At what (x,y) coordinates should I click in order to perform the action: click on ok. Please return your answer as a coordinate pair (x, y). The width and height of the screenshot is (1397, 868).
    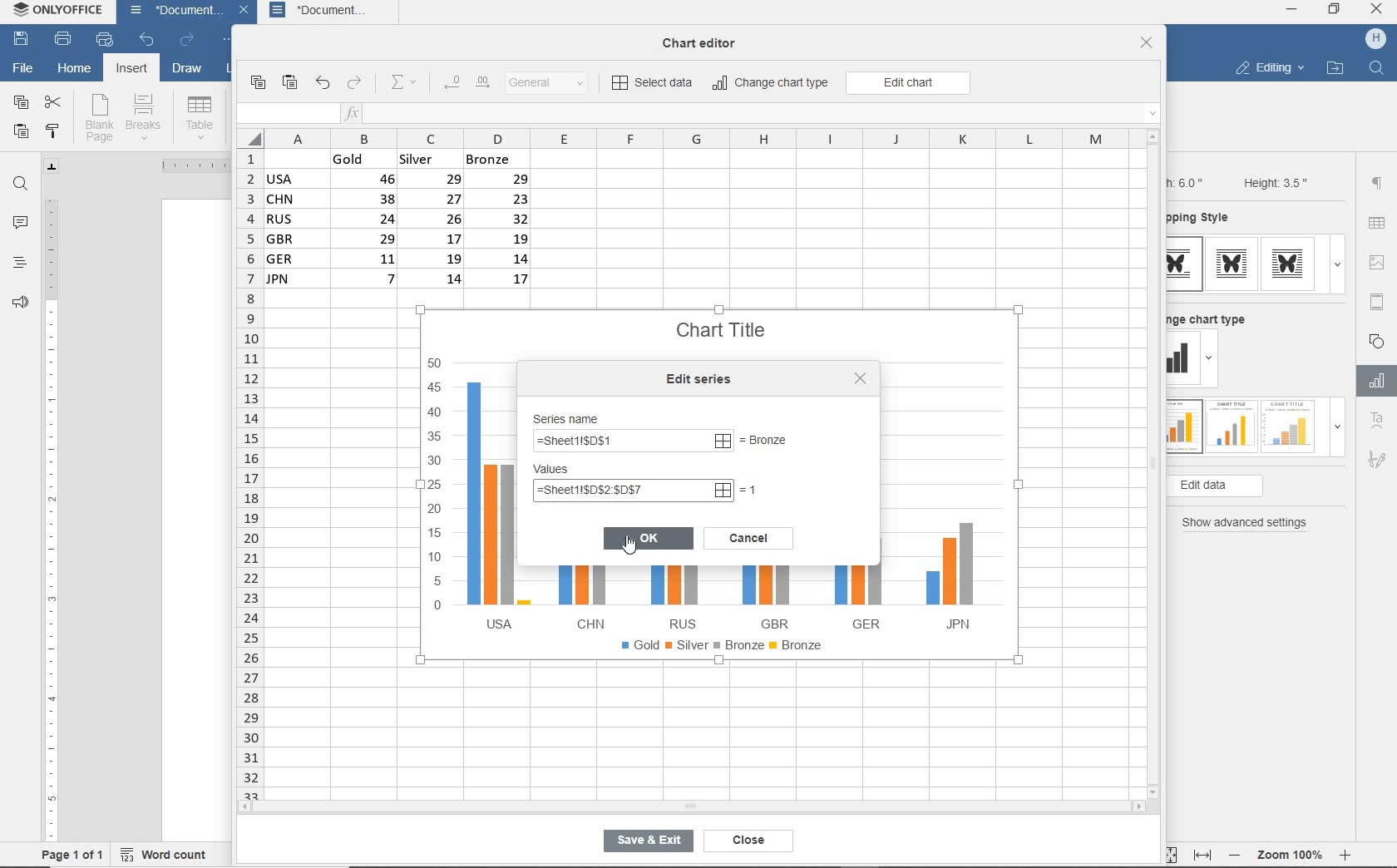
    Looking at the image, I should click on (649, 537).